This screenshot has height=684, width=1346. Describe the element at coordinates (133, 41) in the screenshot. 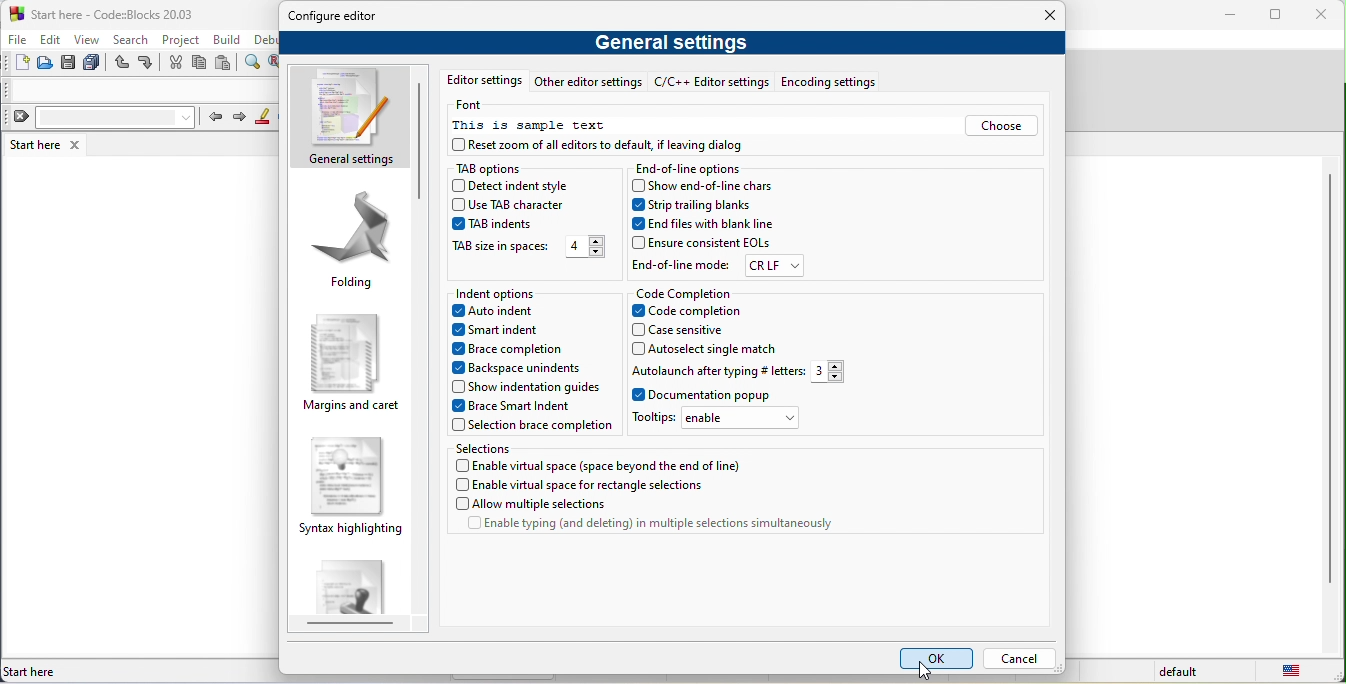

I see `search` at that location.